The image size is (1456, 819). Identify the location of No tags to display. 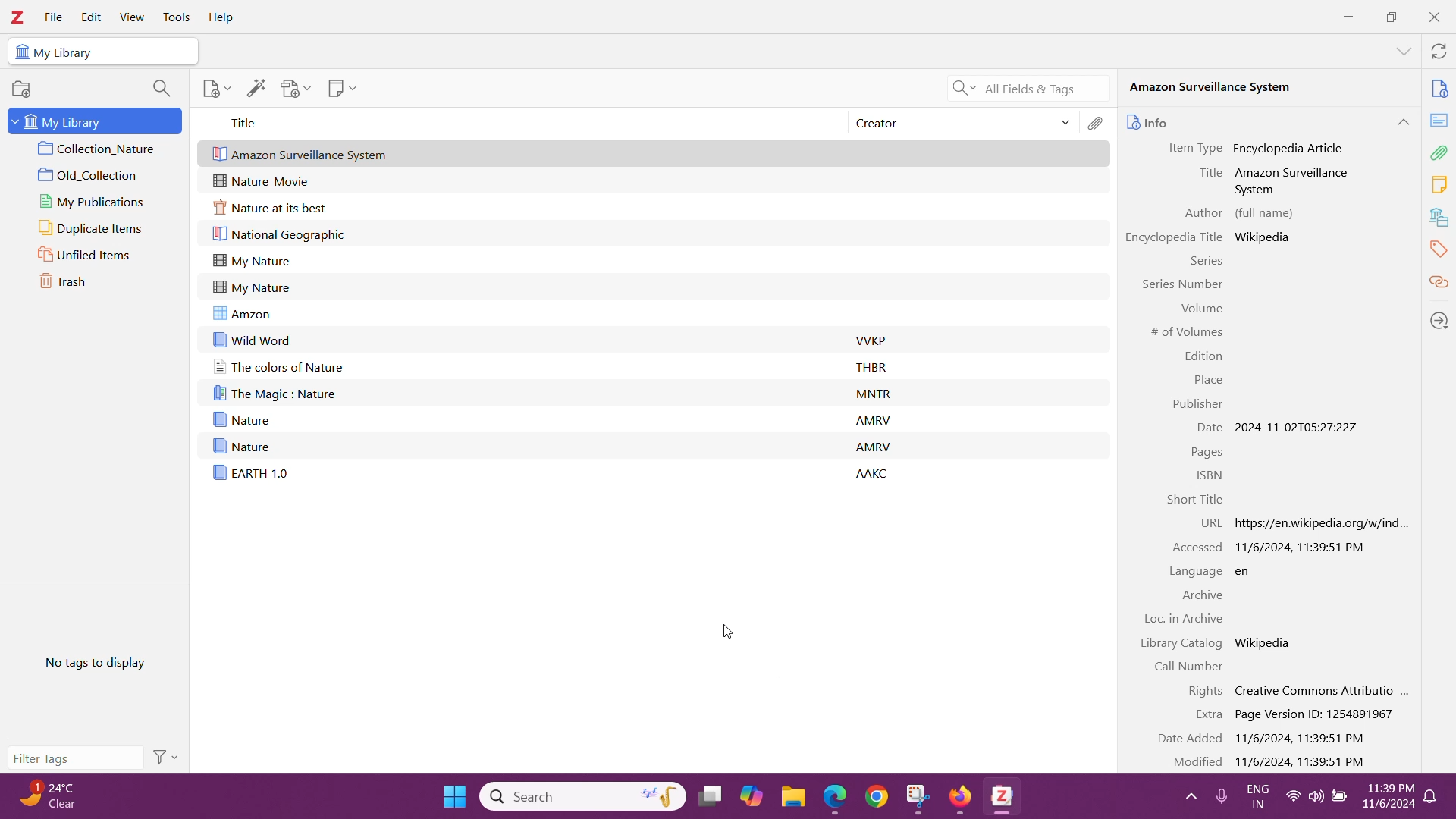
(96, 664).